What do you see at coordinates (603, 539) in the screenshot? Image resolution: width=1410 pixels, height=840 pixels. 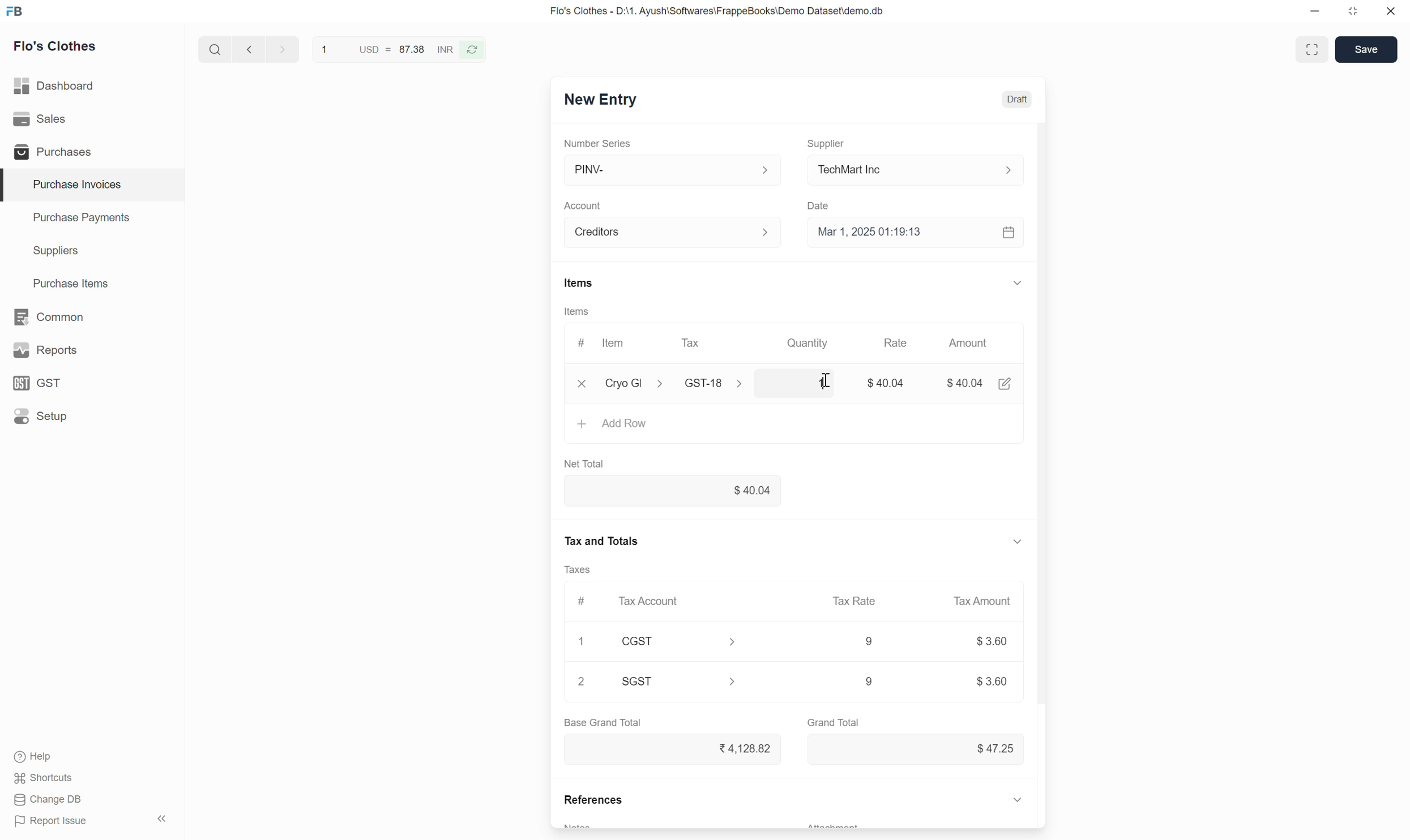 I see `Tax and Totals` at bounding box center [603, 539].